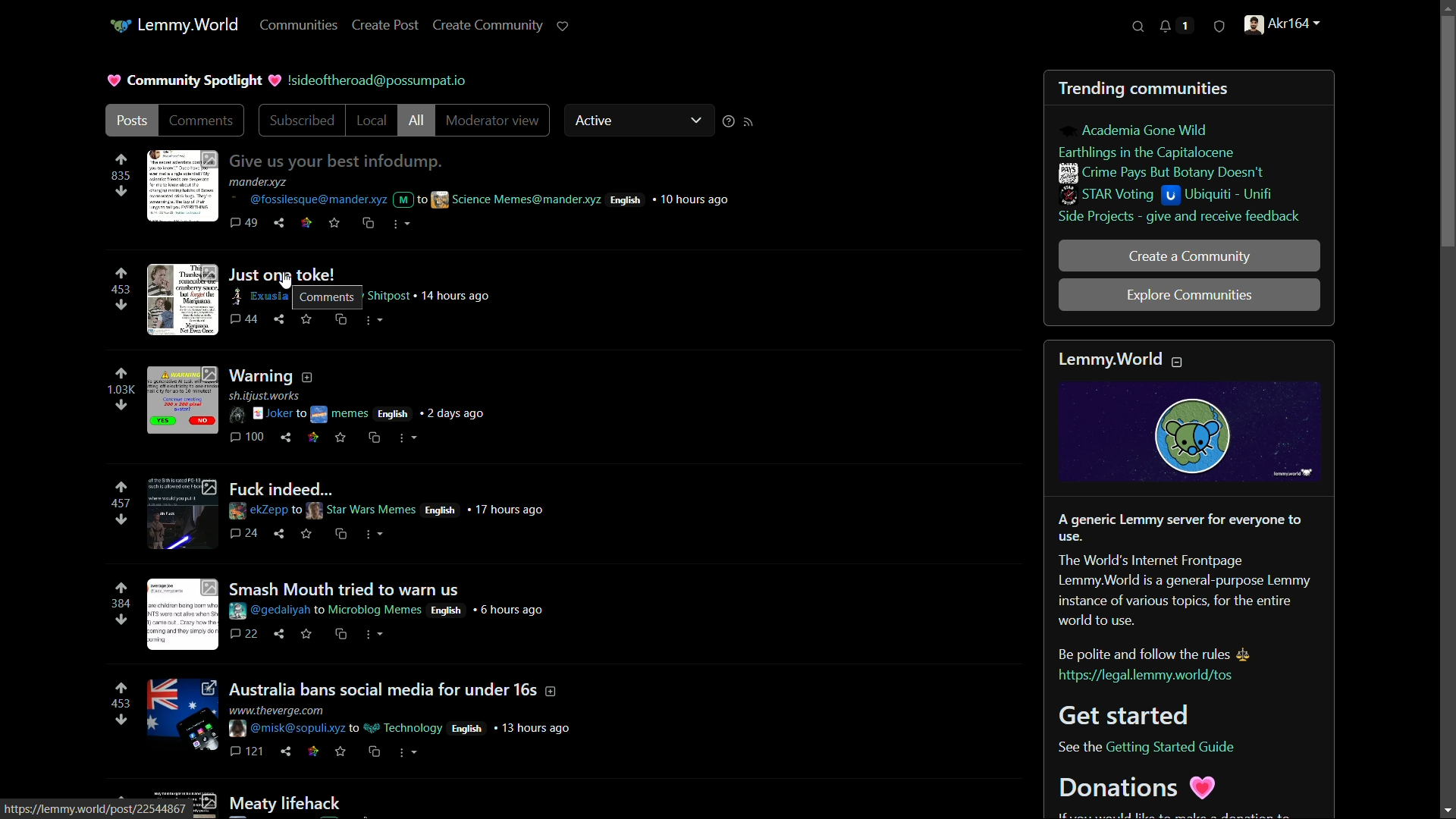  I want to click on create a community, so click(1190, 257).